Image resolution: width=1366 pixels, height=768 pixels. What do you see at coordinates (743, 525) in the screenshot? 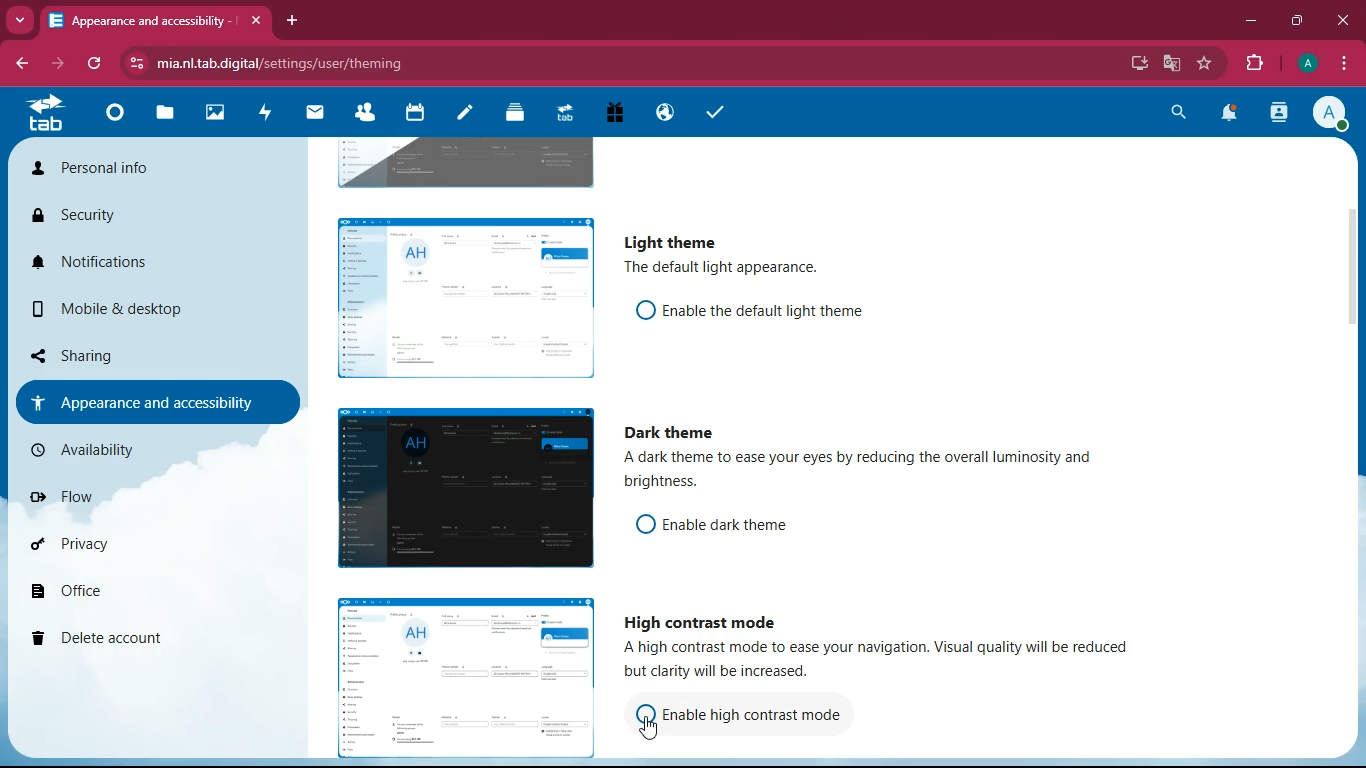
I see `enable` at bounding box center [743, 525].